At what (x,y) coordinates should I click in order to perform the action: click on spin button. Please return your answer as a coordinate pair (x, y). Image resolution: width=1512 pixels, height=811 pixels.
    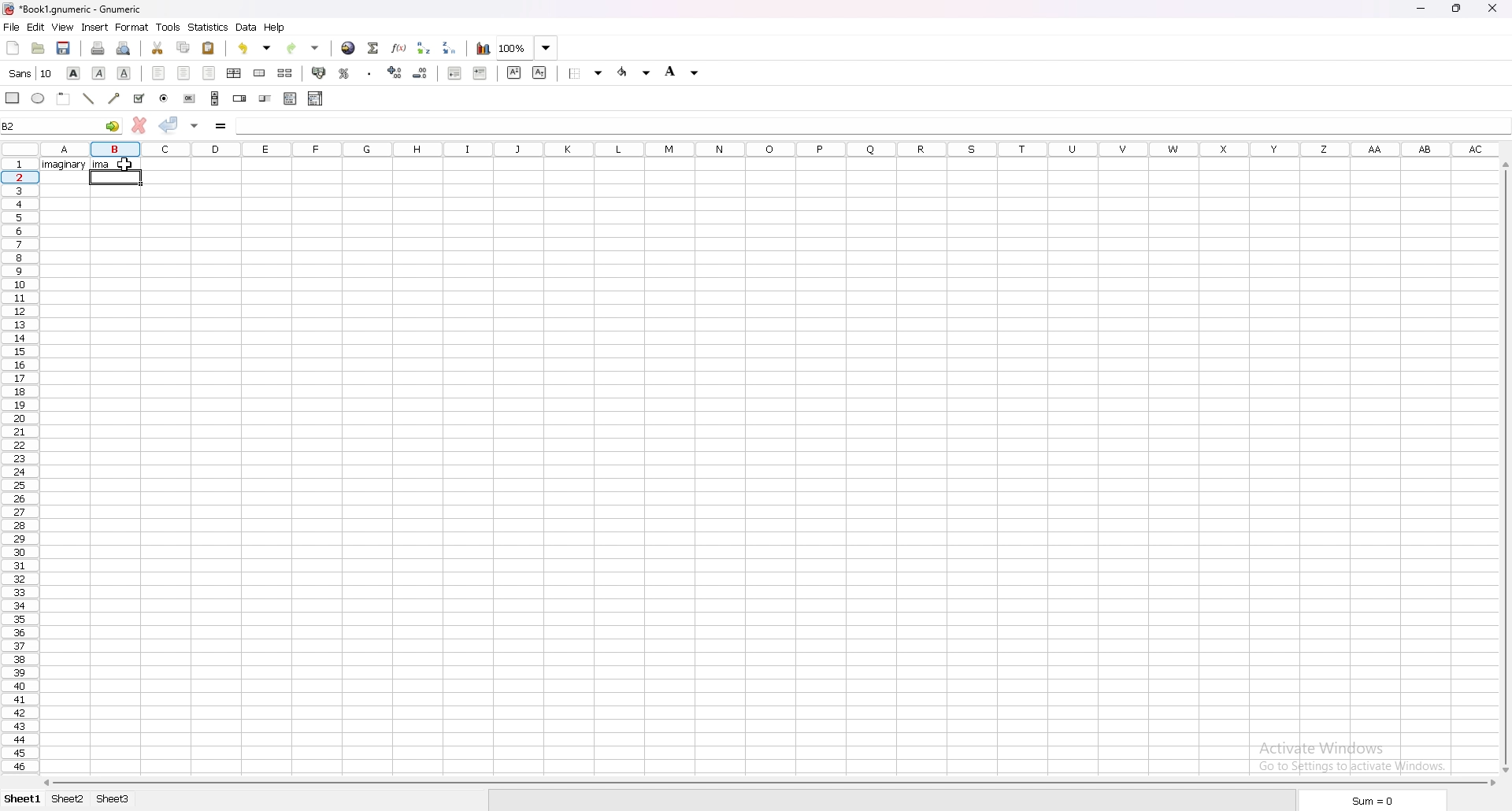
    Looking at the image, I should click on (240, 98).